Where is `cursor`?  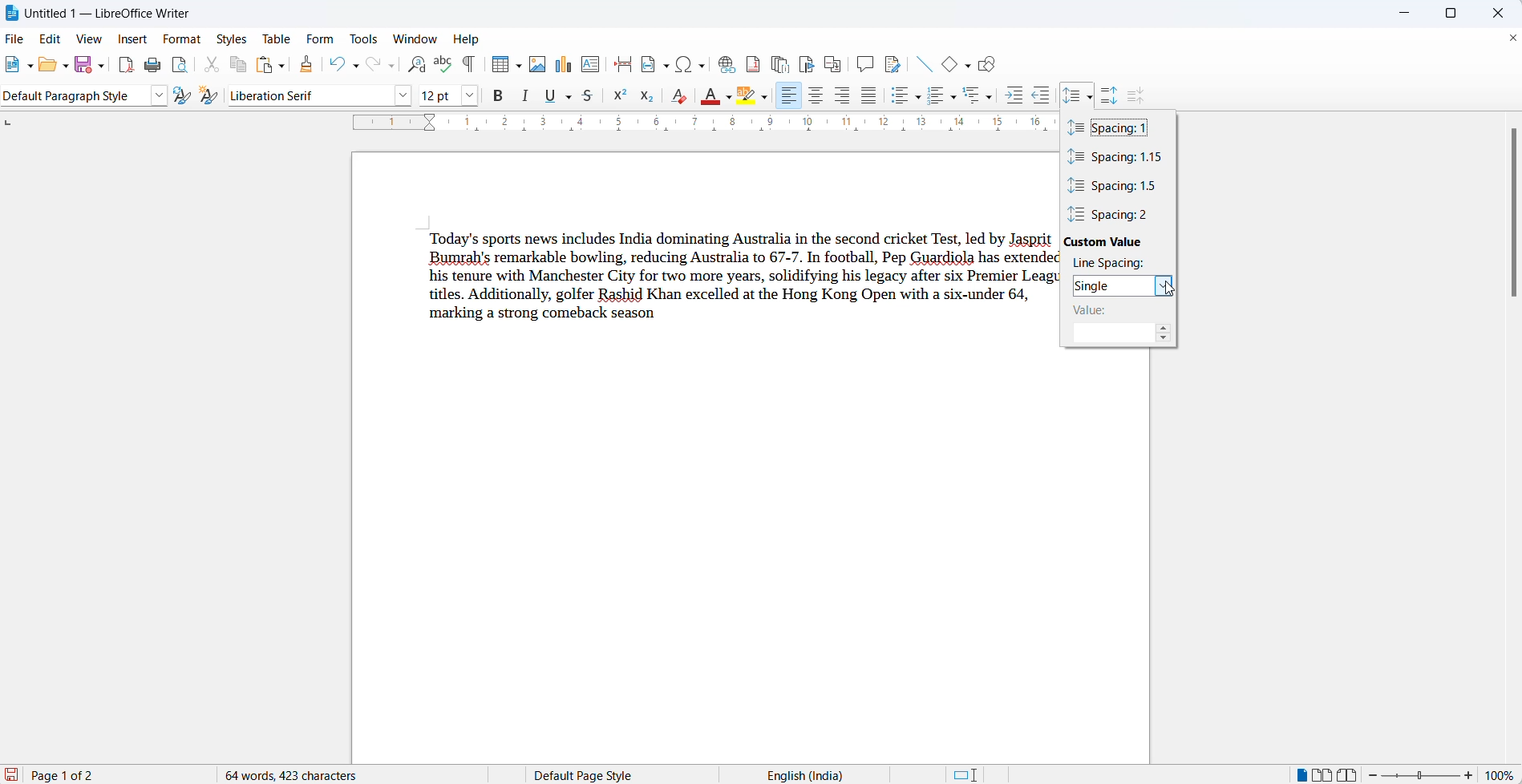 cursor is located at coordinates (1091, 90).